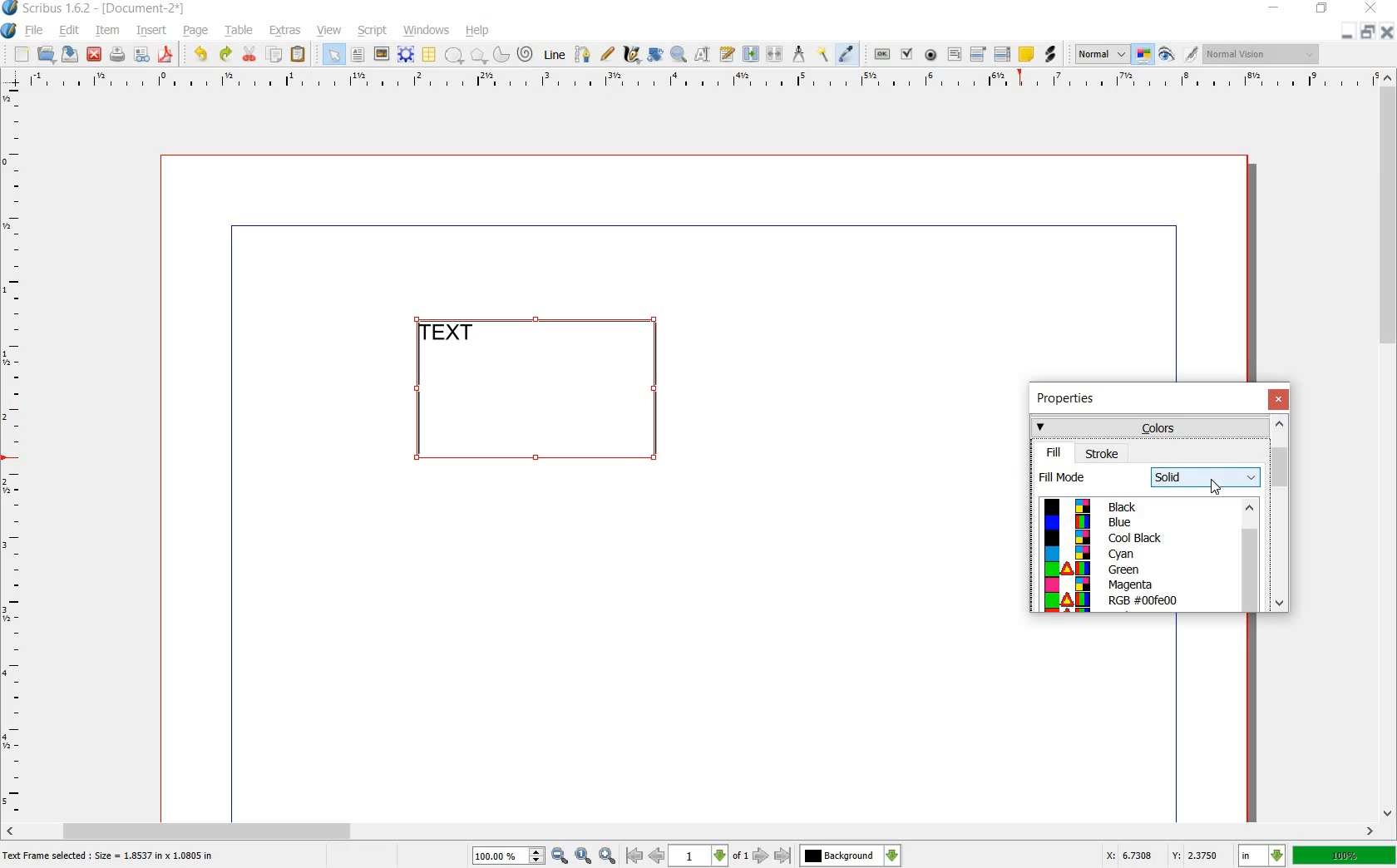 This screenshot has height=868, width=1397. Describe the element at coordinates (560, 856) in the screenshot. I see `zoom out` at that location.